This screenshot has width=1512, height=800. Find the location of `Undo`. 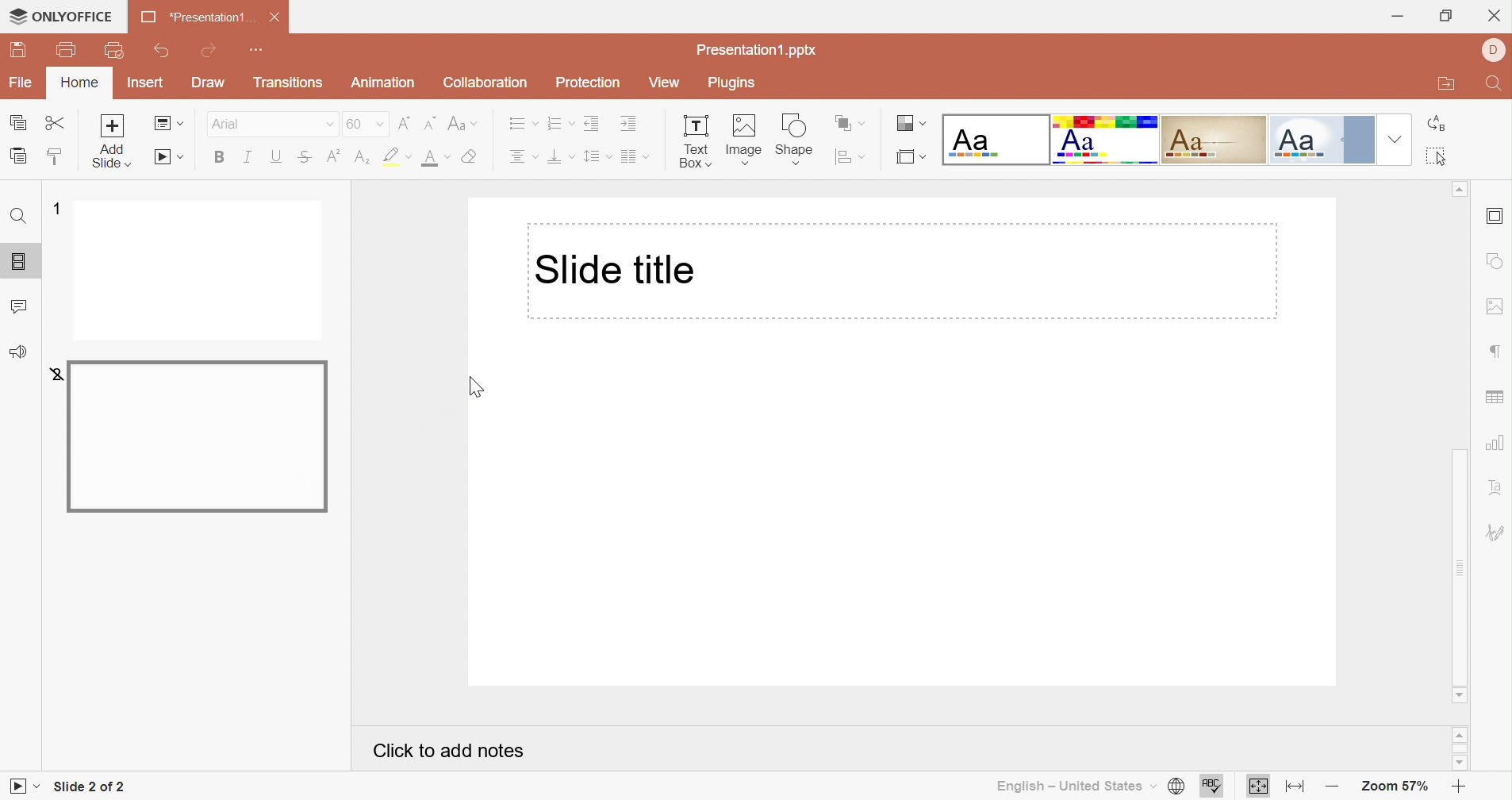

Undo is located at coordinates (165, 54).